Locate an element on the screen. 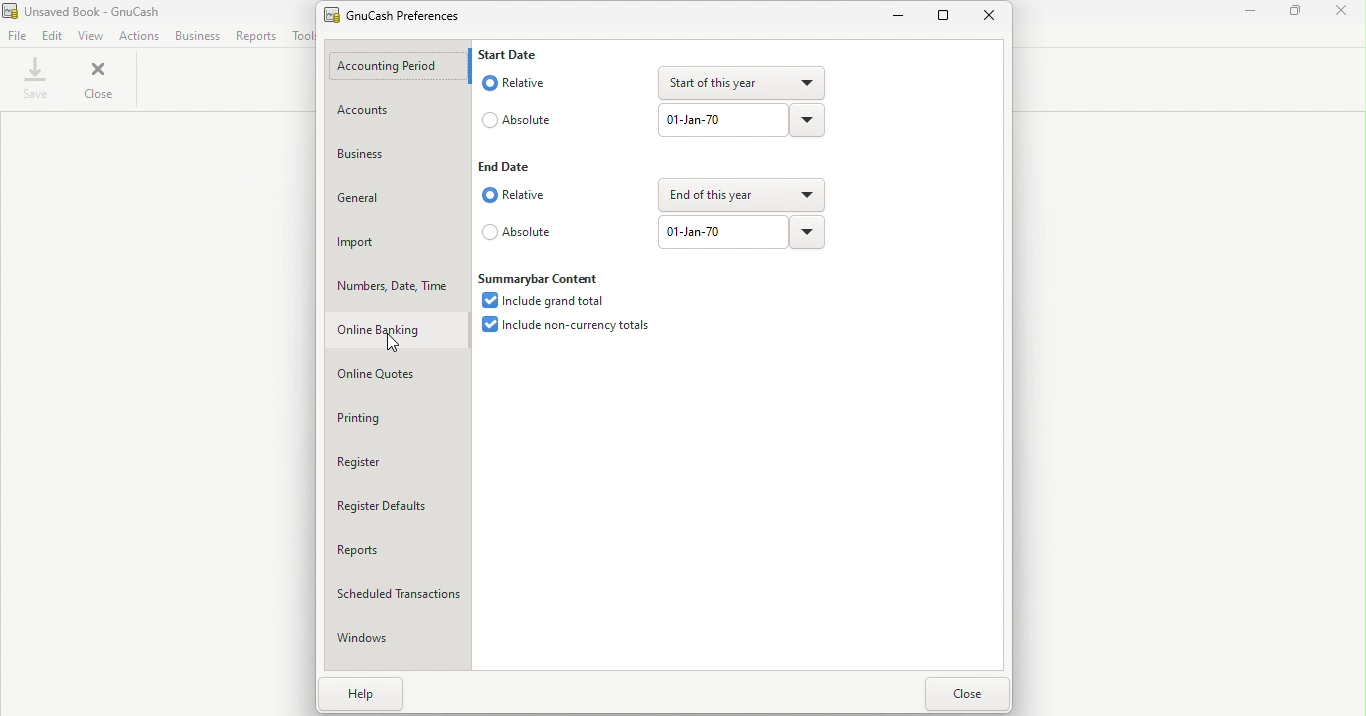 This screenshot has width=1366, height=716. Tools is located at coordinates (301, 36).